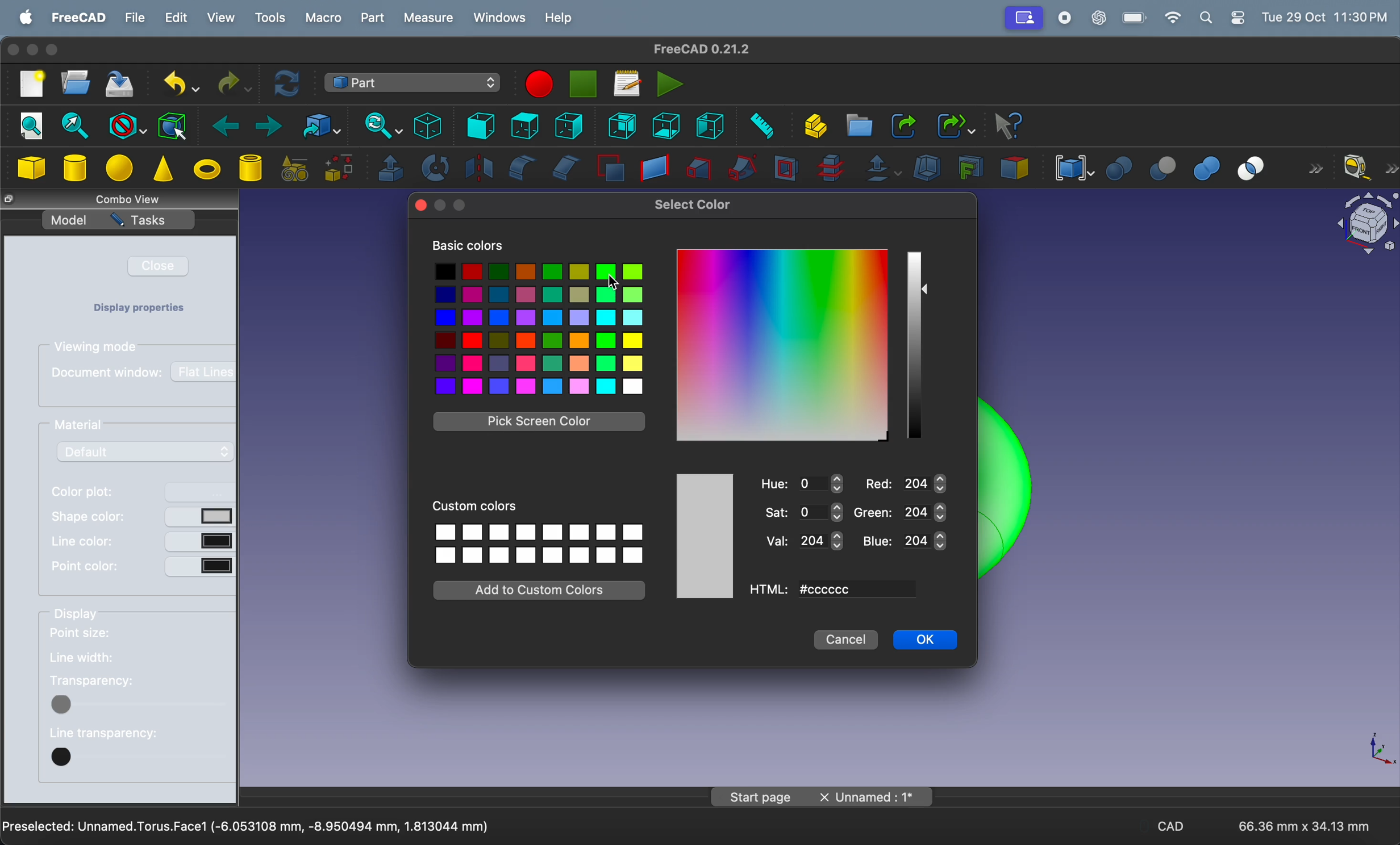  Describe the element at coordinates (499, 17) in the screenshot. I see `windows` at that location.